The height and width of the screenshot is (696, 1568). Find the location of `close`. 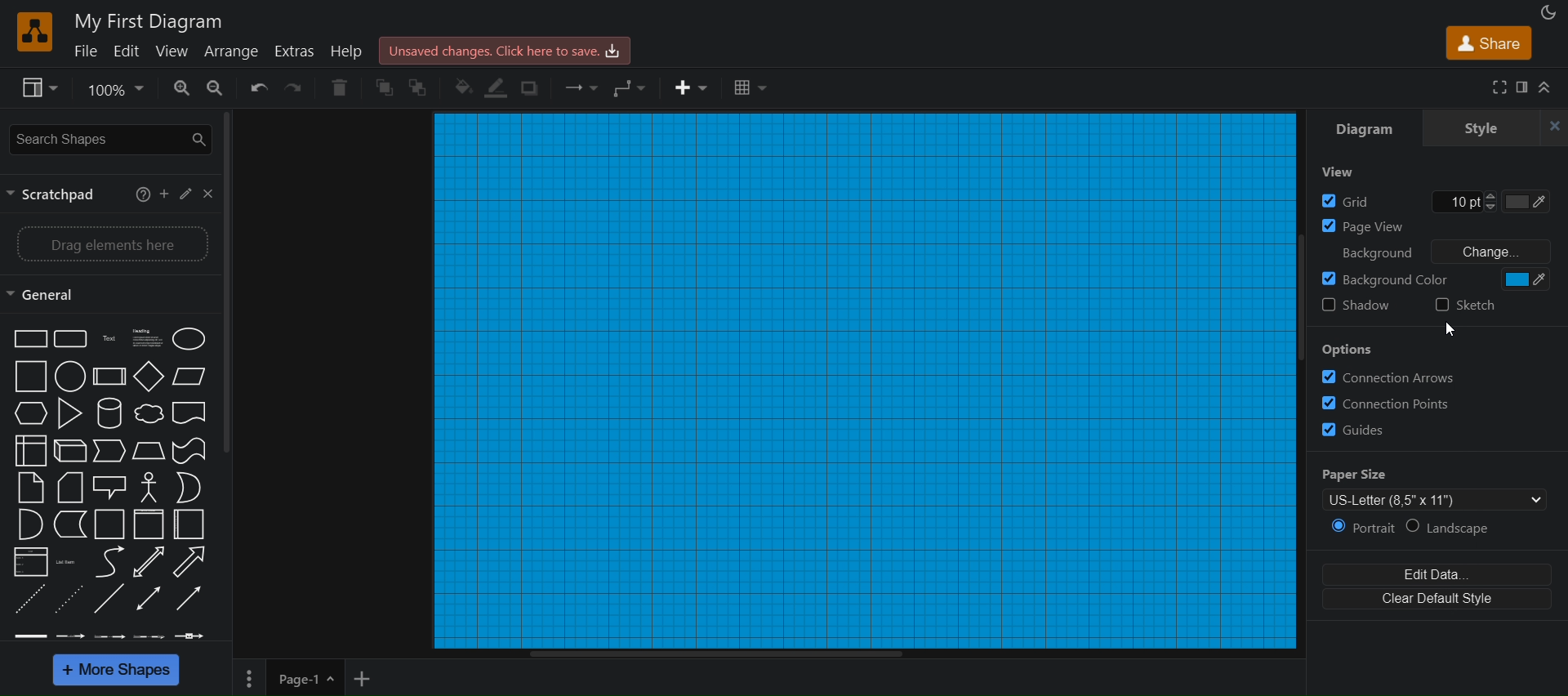

close is located at coordinates (1553, 127).